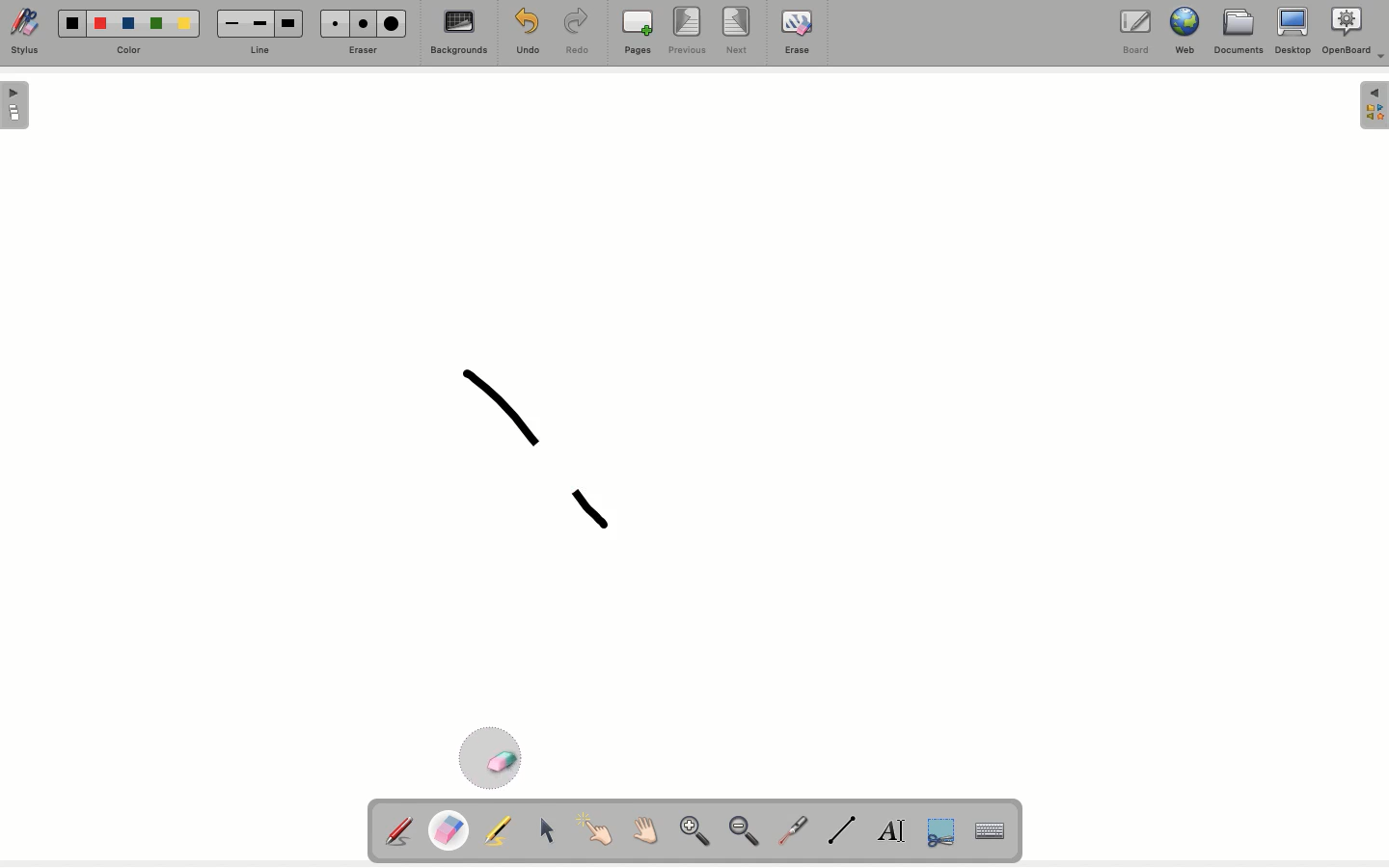 This screenshot has height=868, width=1389. Describe the element at coordinates (290, 21) in the screenshot. I see `Large` at that location.